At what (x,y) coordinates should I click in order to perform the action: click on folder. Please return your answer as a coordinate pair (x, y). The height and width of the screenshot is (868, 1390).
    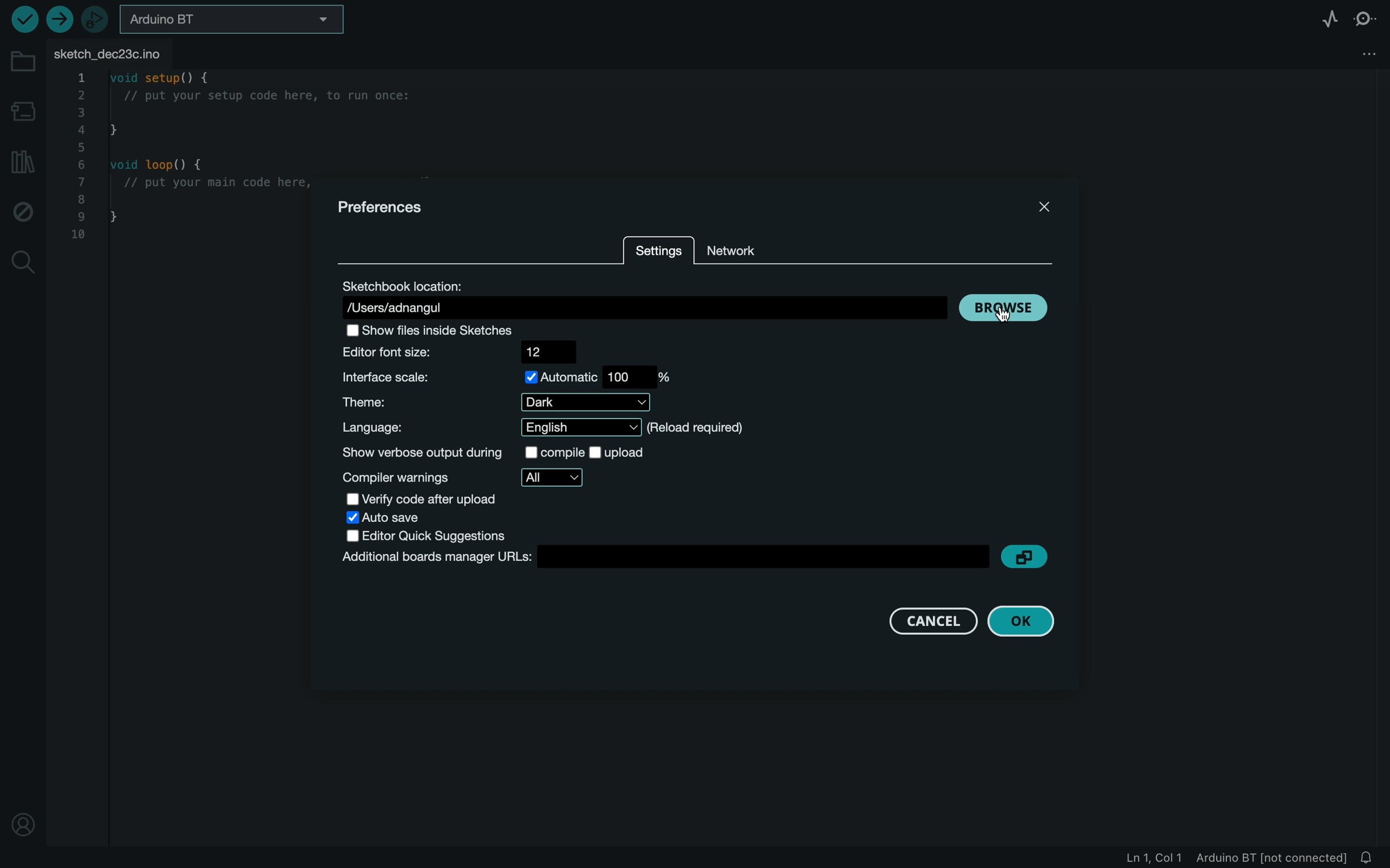
    Looking at the image, I should click on (23, 64).